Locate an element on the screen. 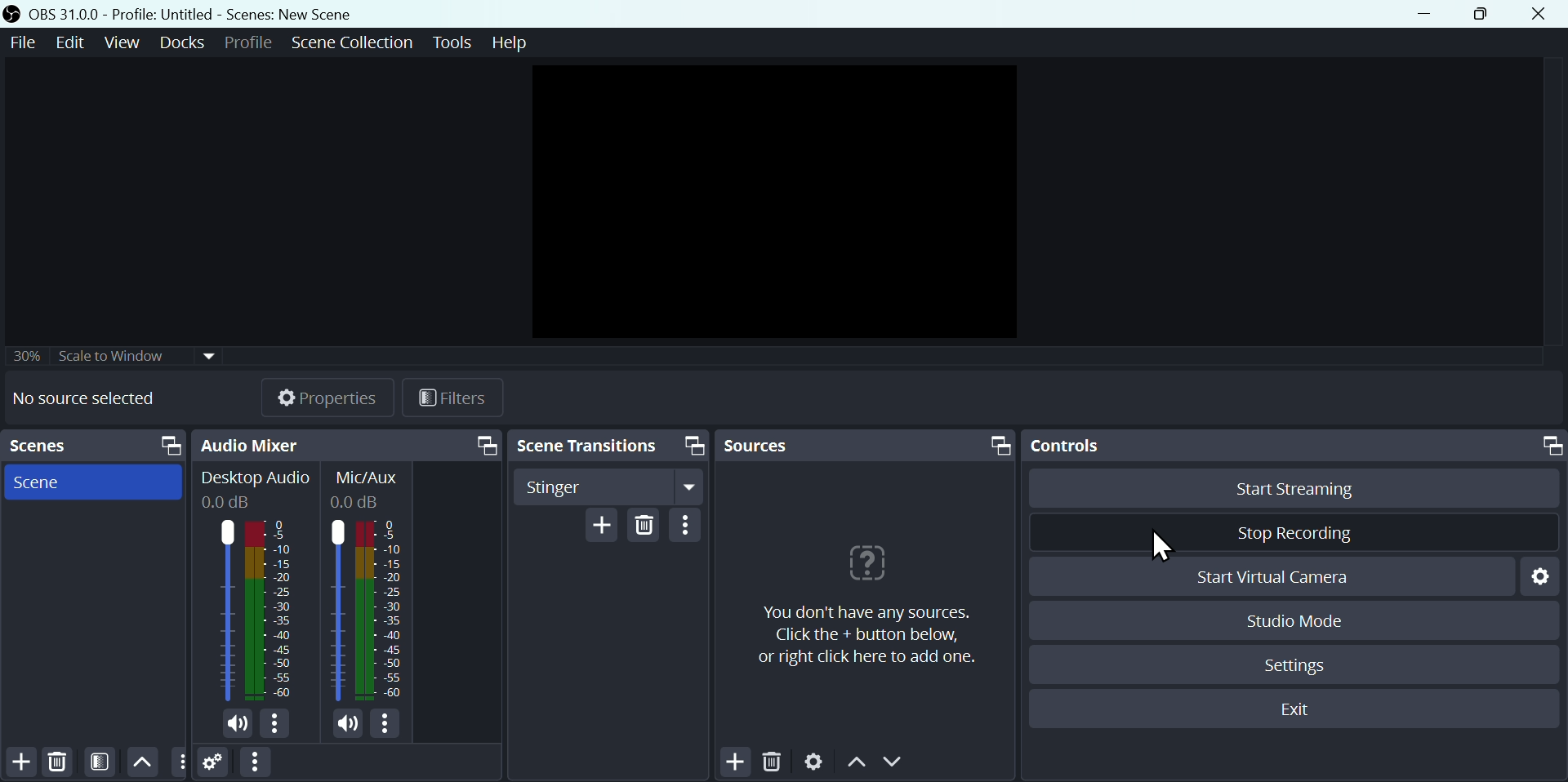  Mic/Aux is located at coordinates (372, 586).